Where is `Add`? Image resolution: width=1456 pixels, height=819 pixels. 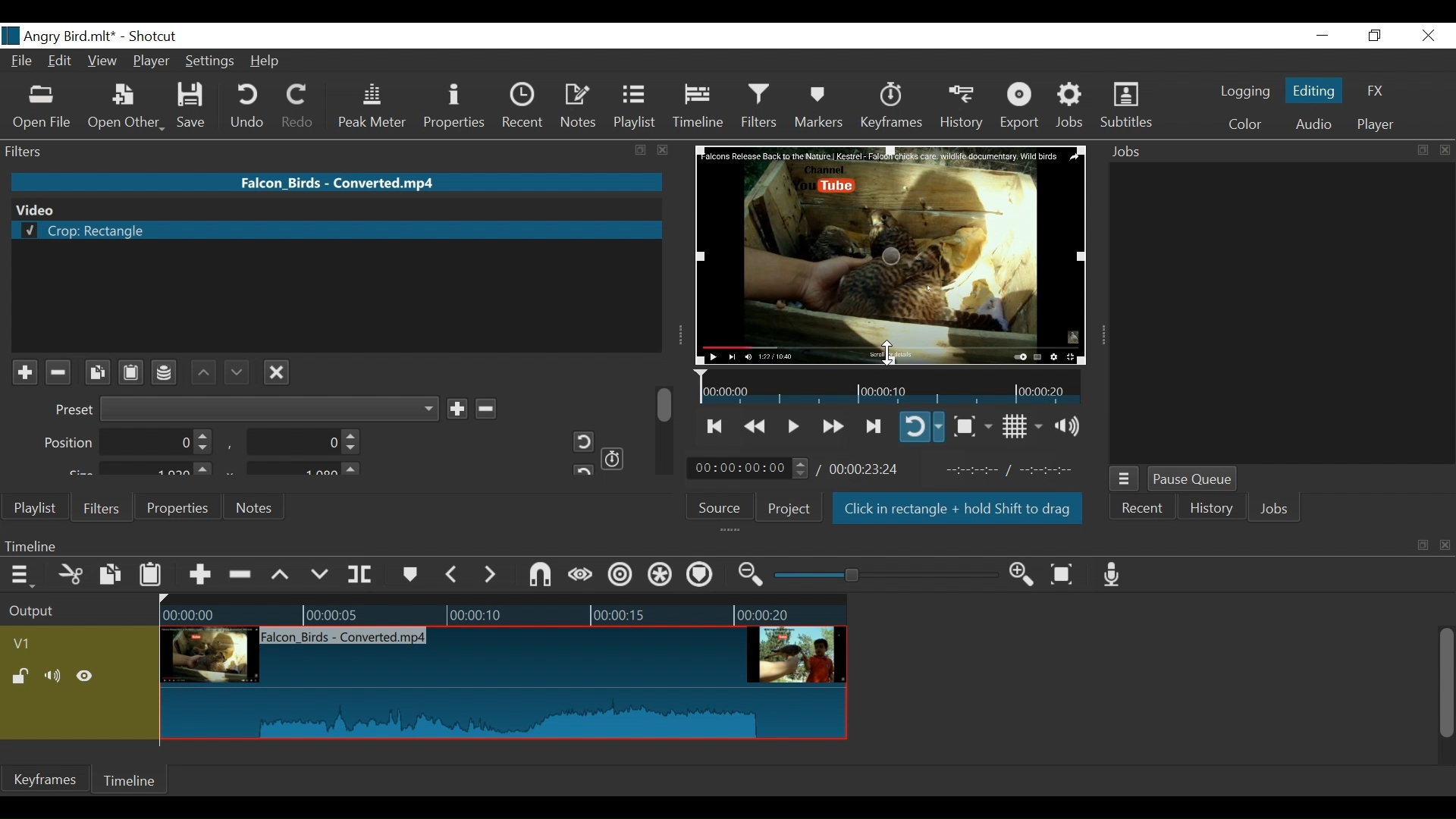
Add is located at coordinates (457, 408).